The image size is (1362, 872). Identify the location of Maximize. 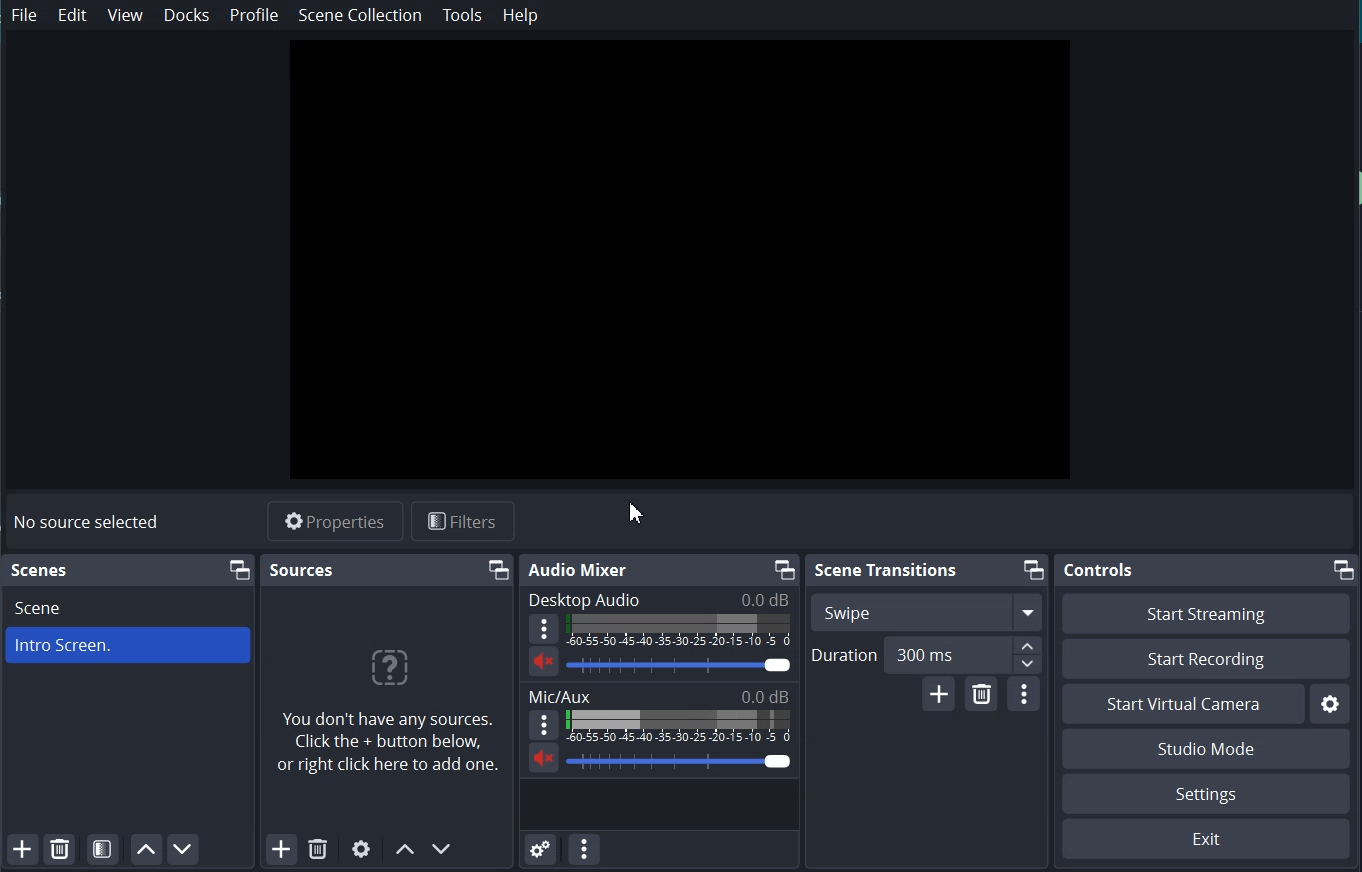
(783, 569).